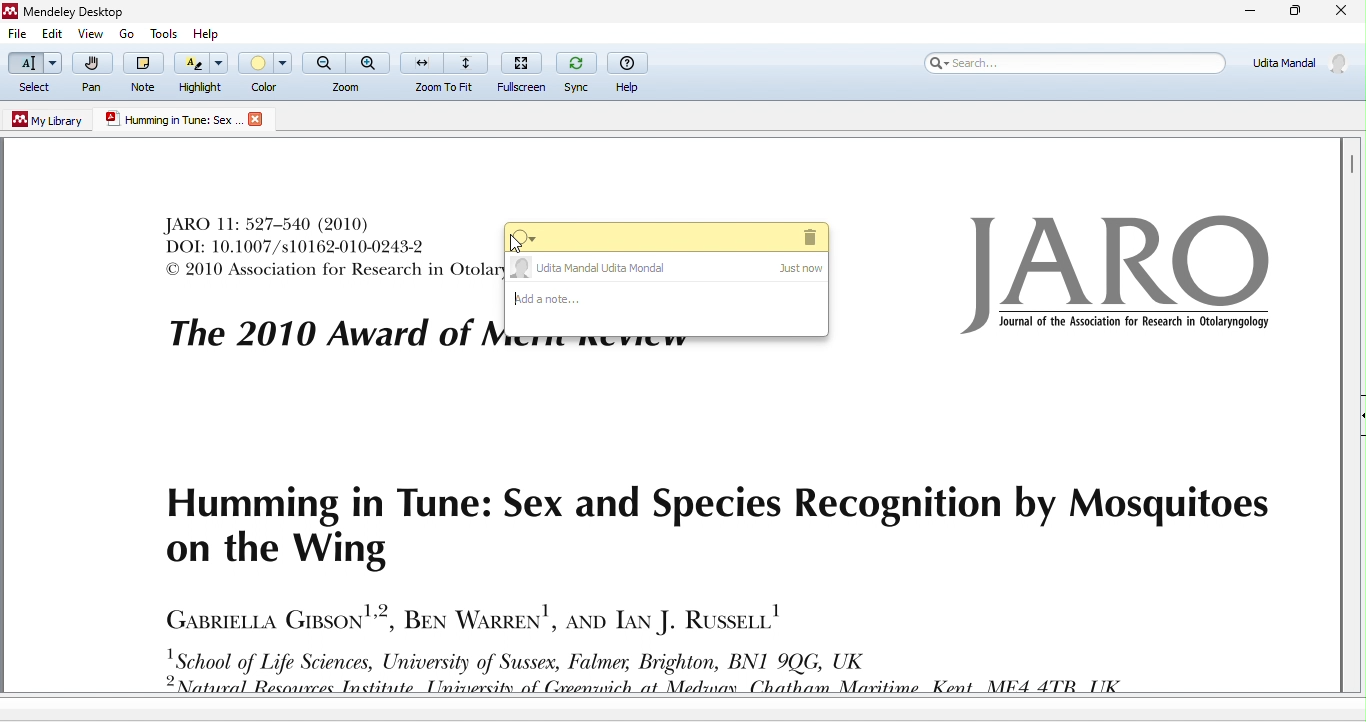 The image size is (1366, 722). What do you see at coordinates (58, 33) in the screenshot?
I see `edit` at bounding box center [58, 33].